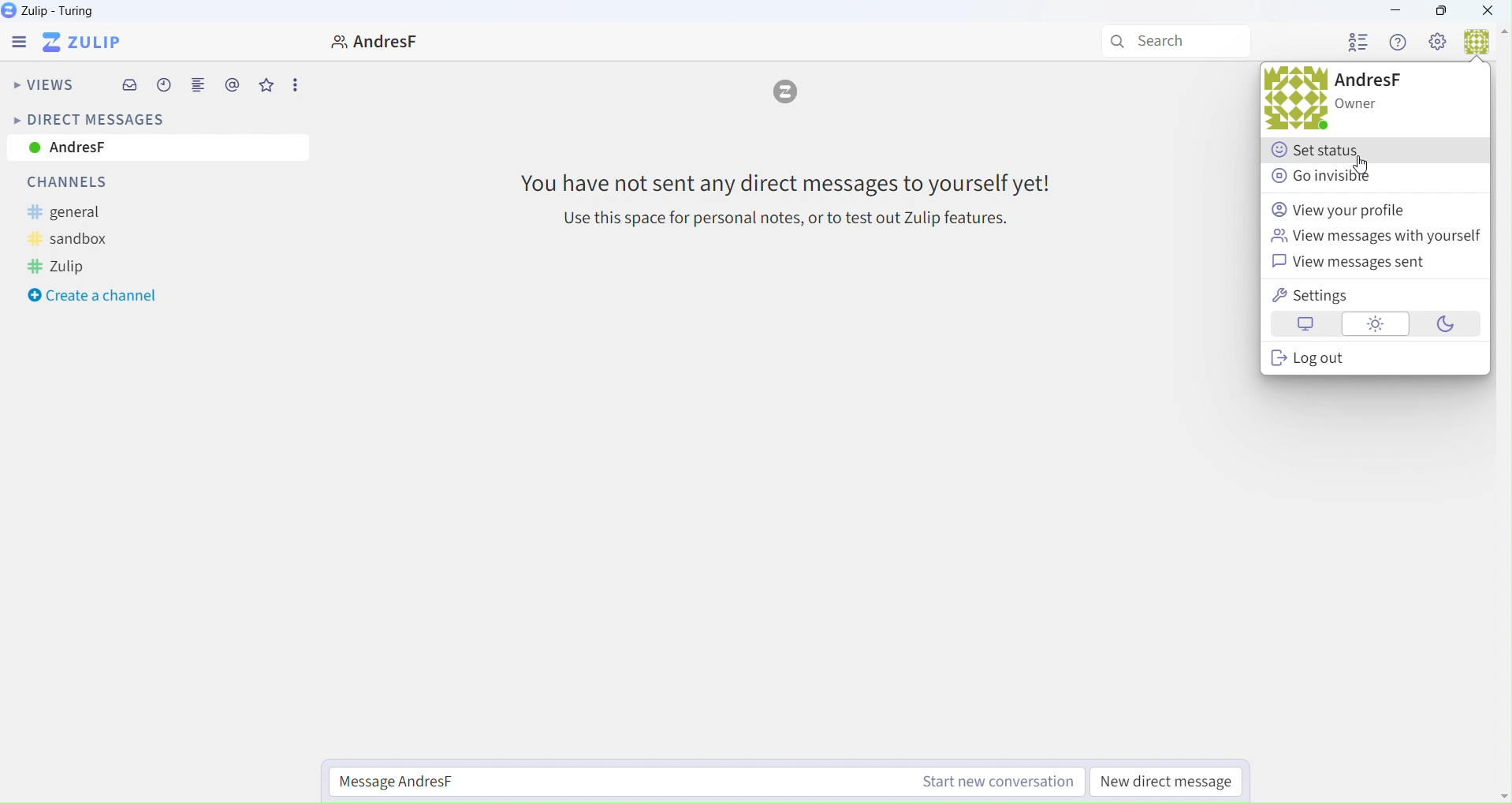  I want to click on More, so click(295, 84).